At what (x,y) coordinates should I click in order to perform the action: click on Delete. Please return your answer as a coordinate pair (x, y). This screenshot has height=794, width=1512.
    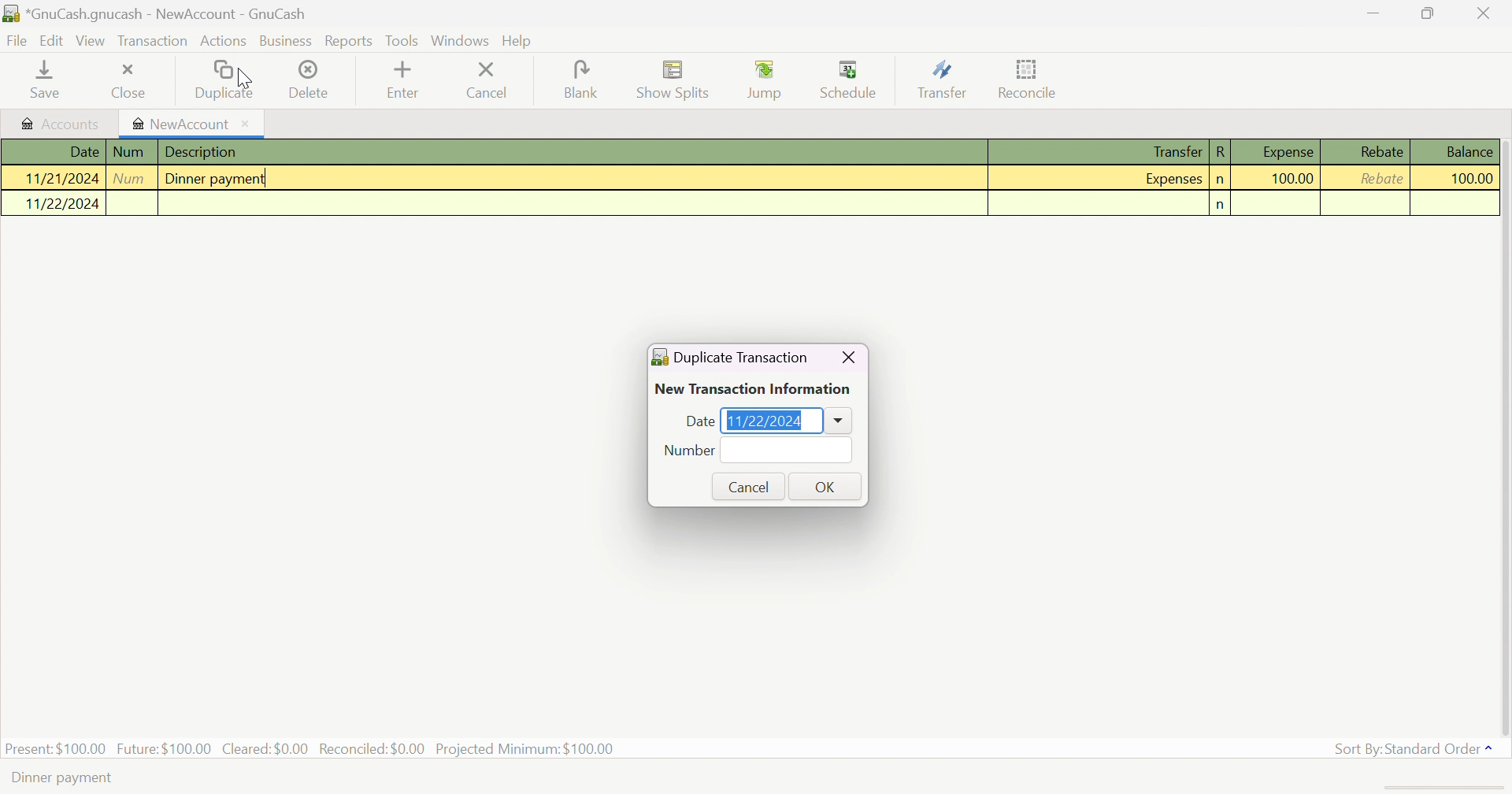
    Looking at the image, I should click on (309, 80).